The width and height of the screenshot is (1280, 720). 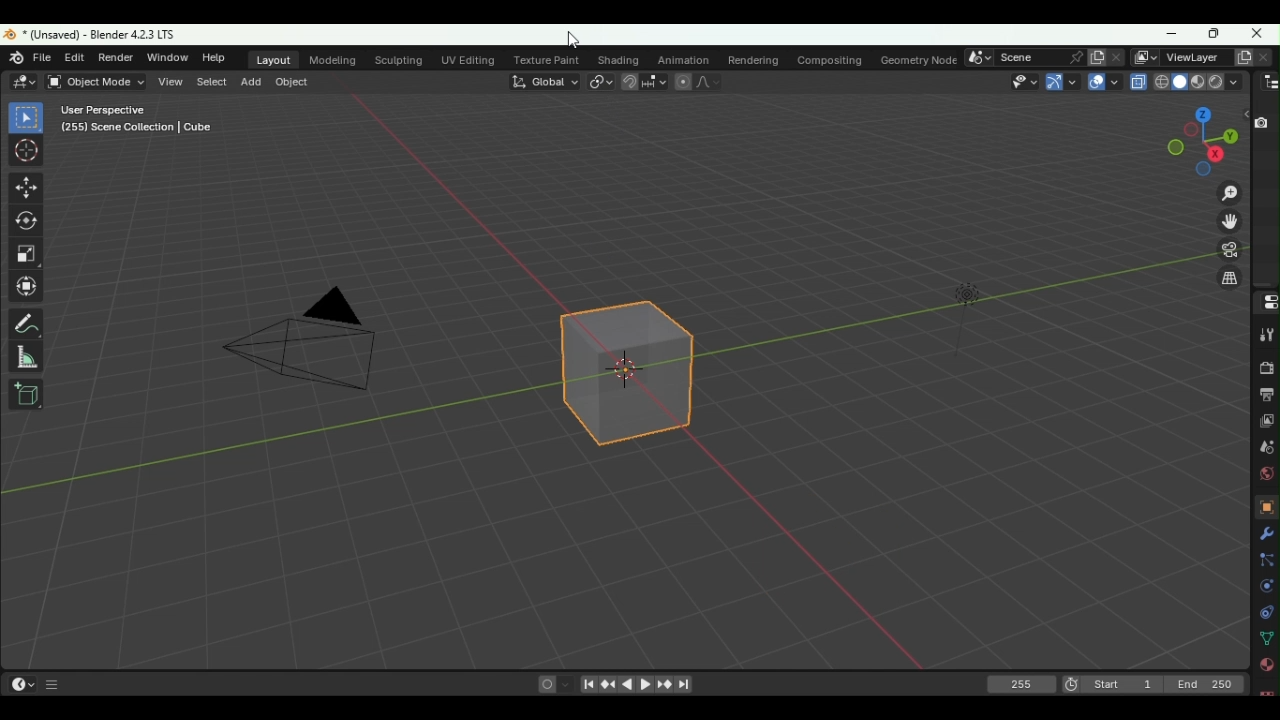 What do you see at coordinates (172, 81) in the screenshot?
I see `View` at bounding box center [172, 81].